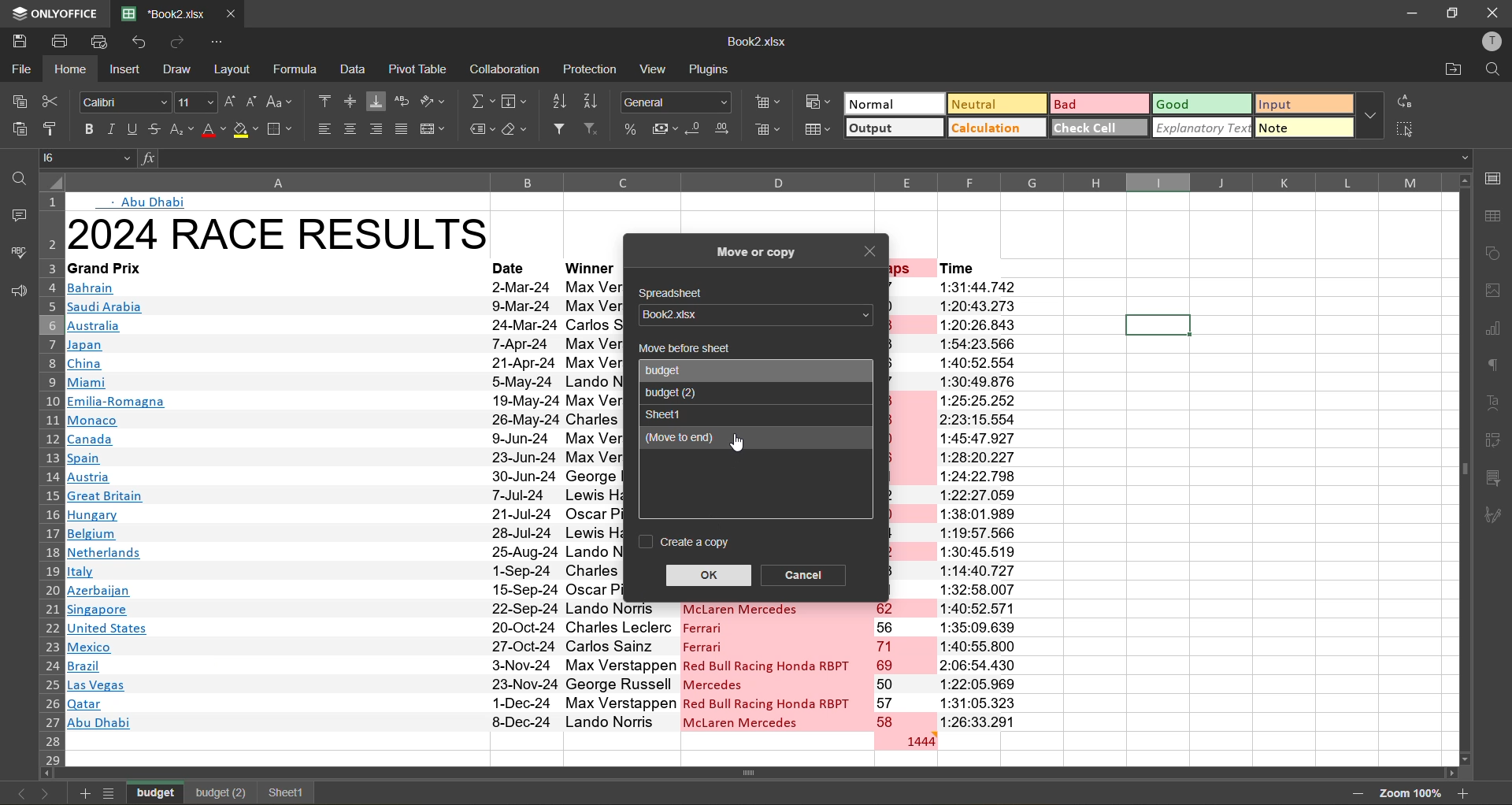 The image size is (1512, 805). I want to click on named ranges, so click(481, 130).